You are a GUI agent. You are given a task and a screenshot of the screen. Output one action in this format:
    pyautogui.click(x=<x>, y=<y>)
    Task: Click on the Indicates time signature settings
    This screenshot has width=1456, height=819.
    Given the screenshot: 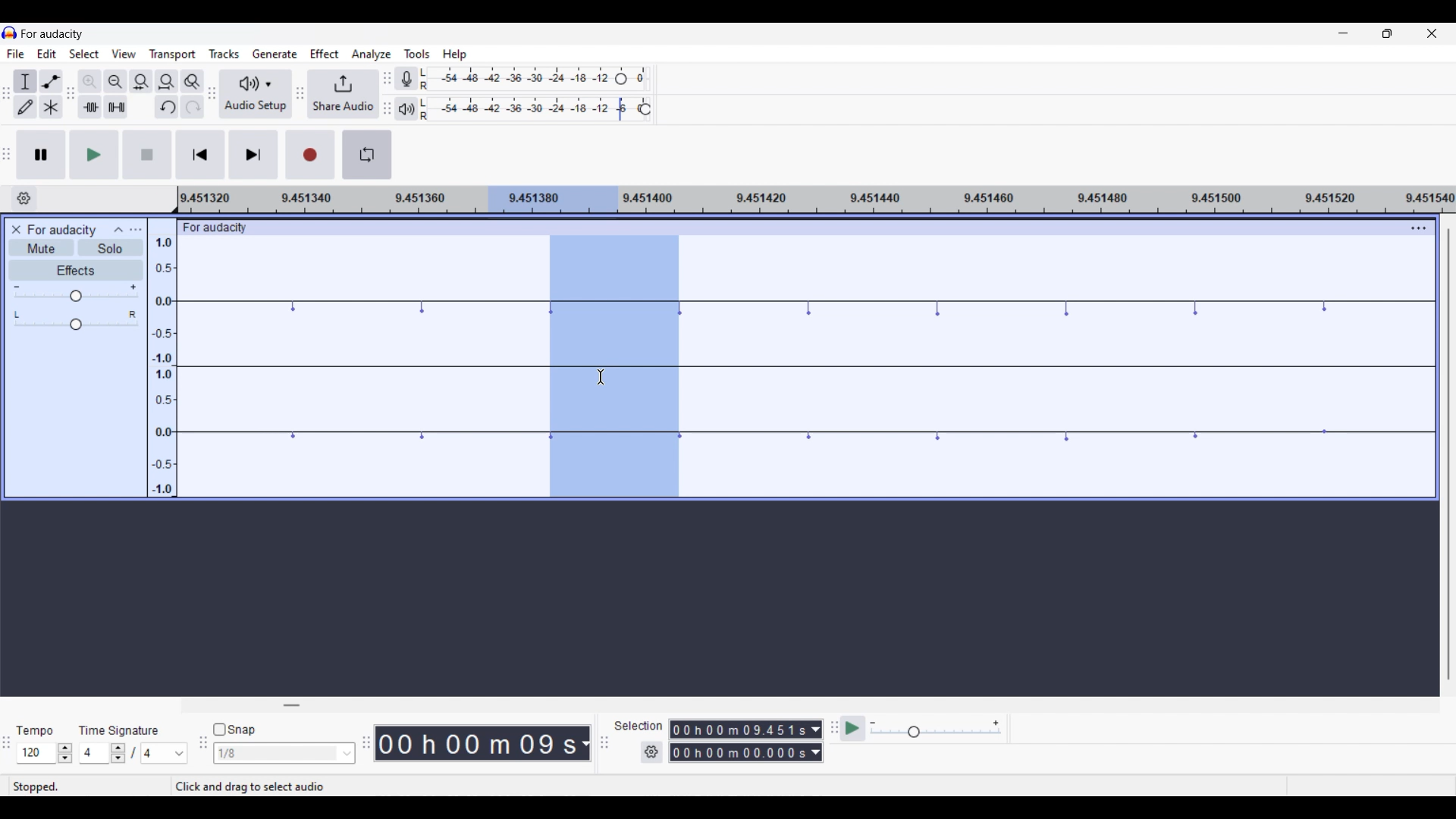 What is the action you would take?
    pyautogui.click(x=118, y=731)
    